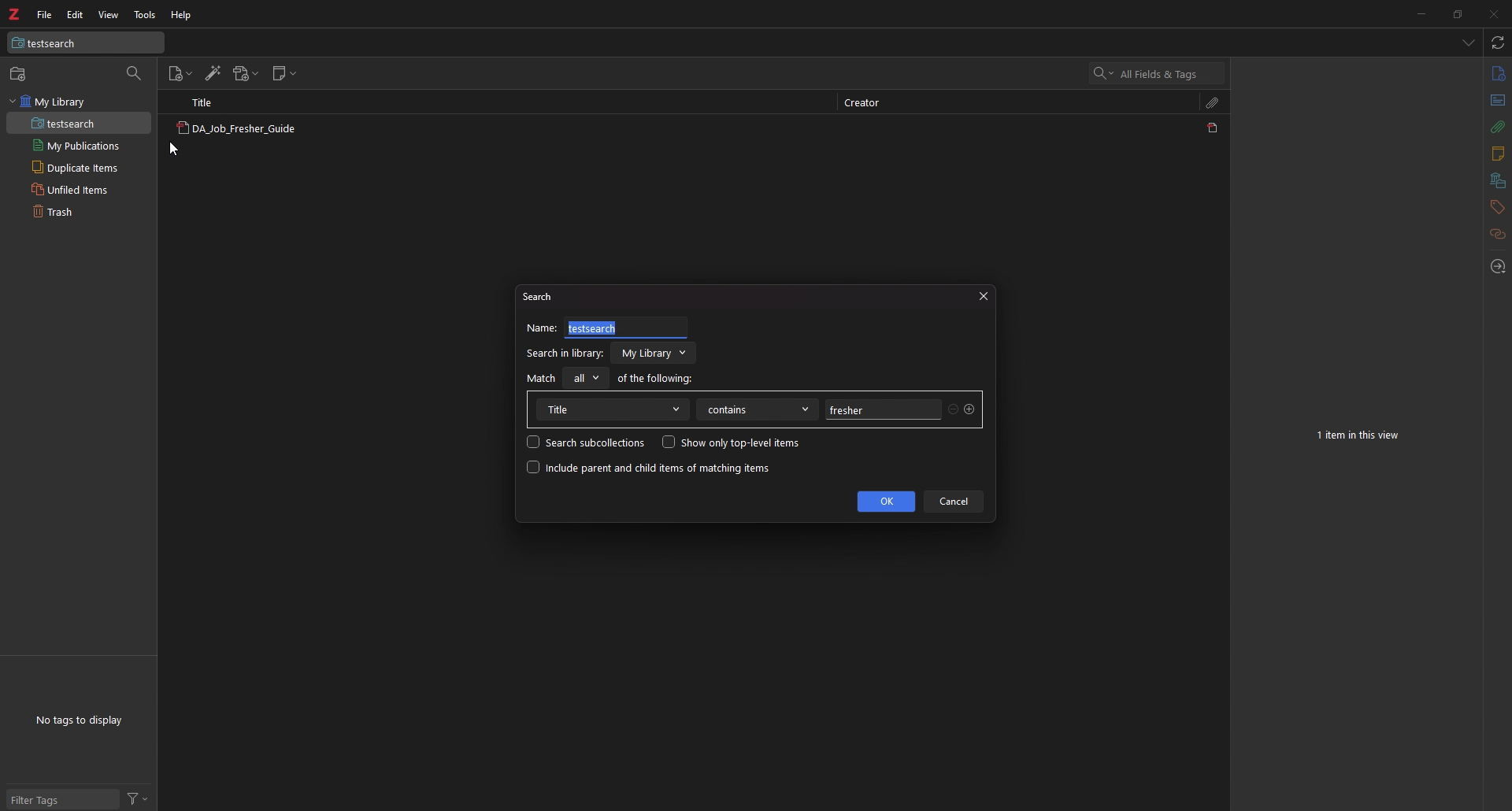 The image size is (1512, 811). Describe the element at coordinates (649, 468) in the screenshot. I see `include parent and child items of matching items` at that location.